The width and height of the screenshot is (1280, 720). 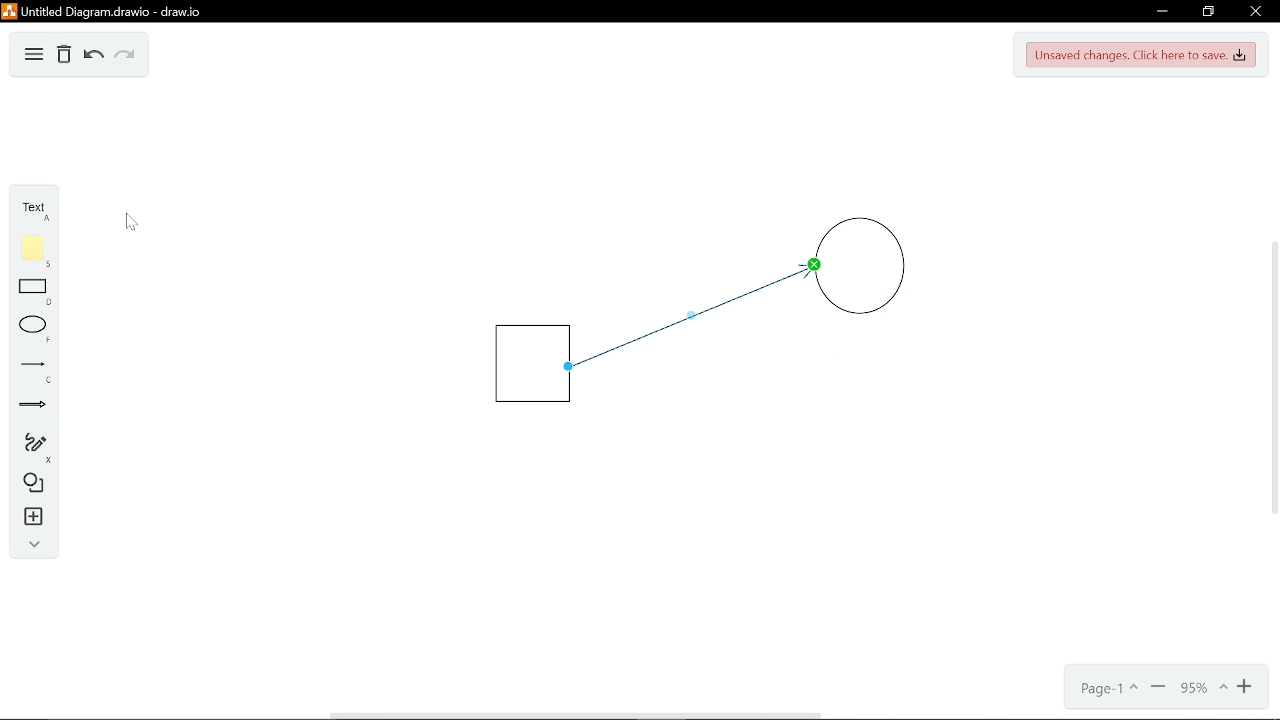 I want to click on Current zoom, so click(x=1202, y=688).